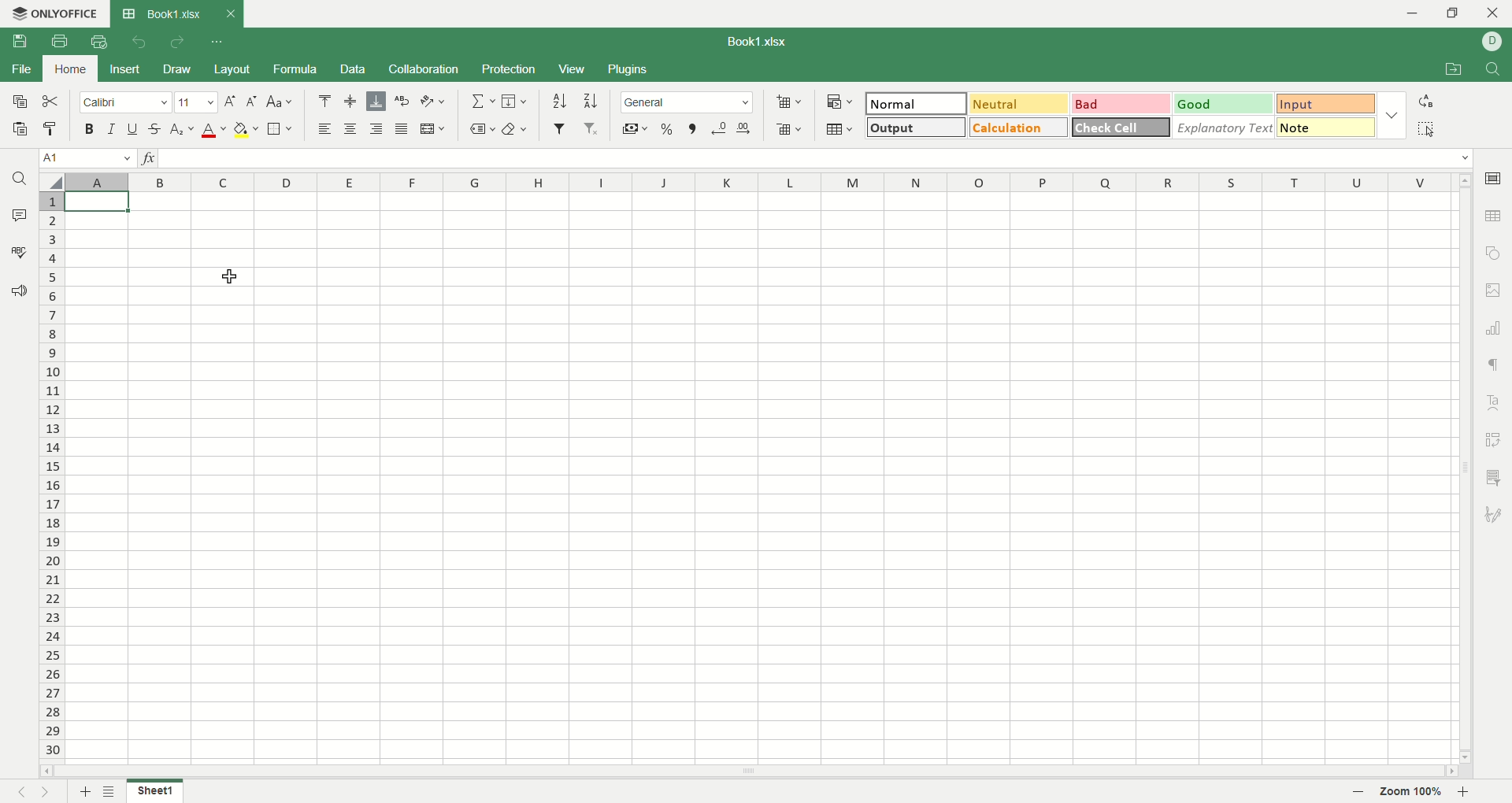  Describe the element at coordinates (93, 130) in the screenshot. I see `bold` at that location.